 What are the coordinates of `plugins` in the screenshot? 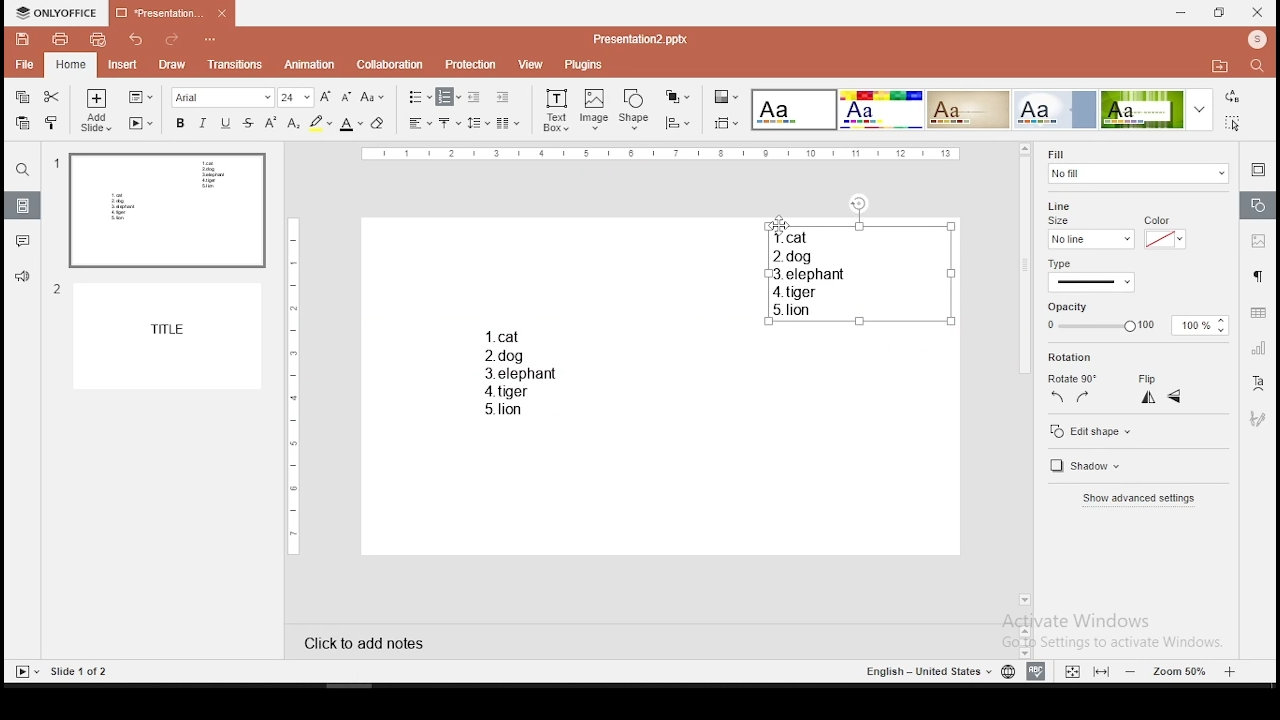 It's located at (585, 65).